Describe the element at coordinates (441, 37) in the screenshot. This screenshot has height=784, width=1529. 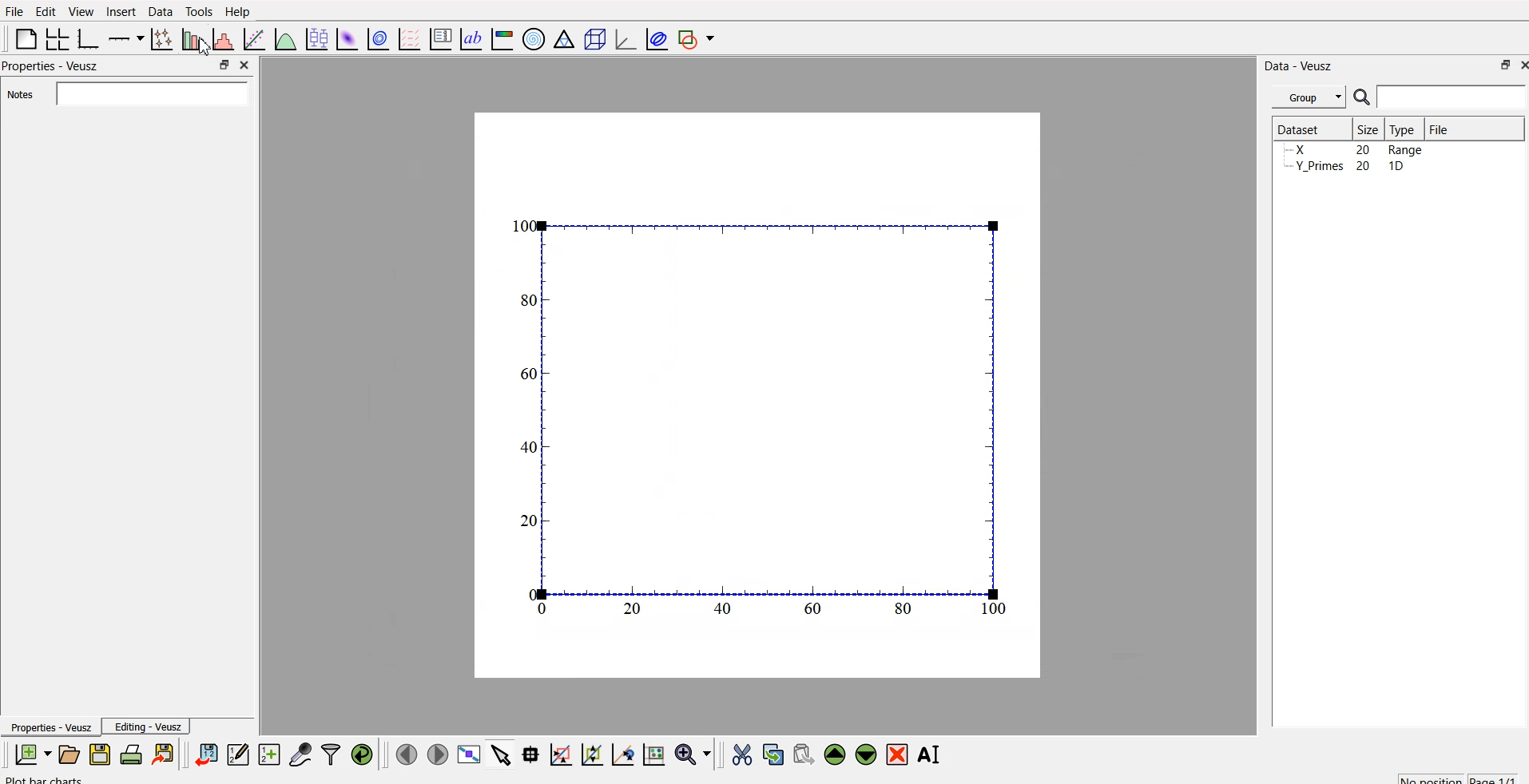
I see `plot key` at that location.